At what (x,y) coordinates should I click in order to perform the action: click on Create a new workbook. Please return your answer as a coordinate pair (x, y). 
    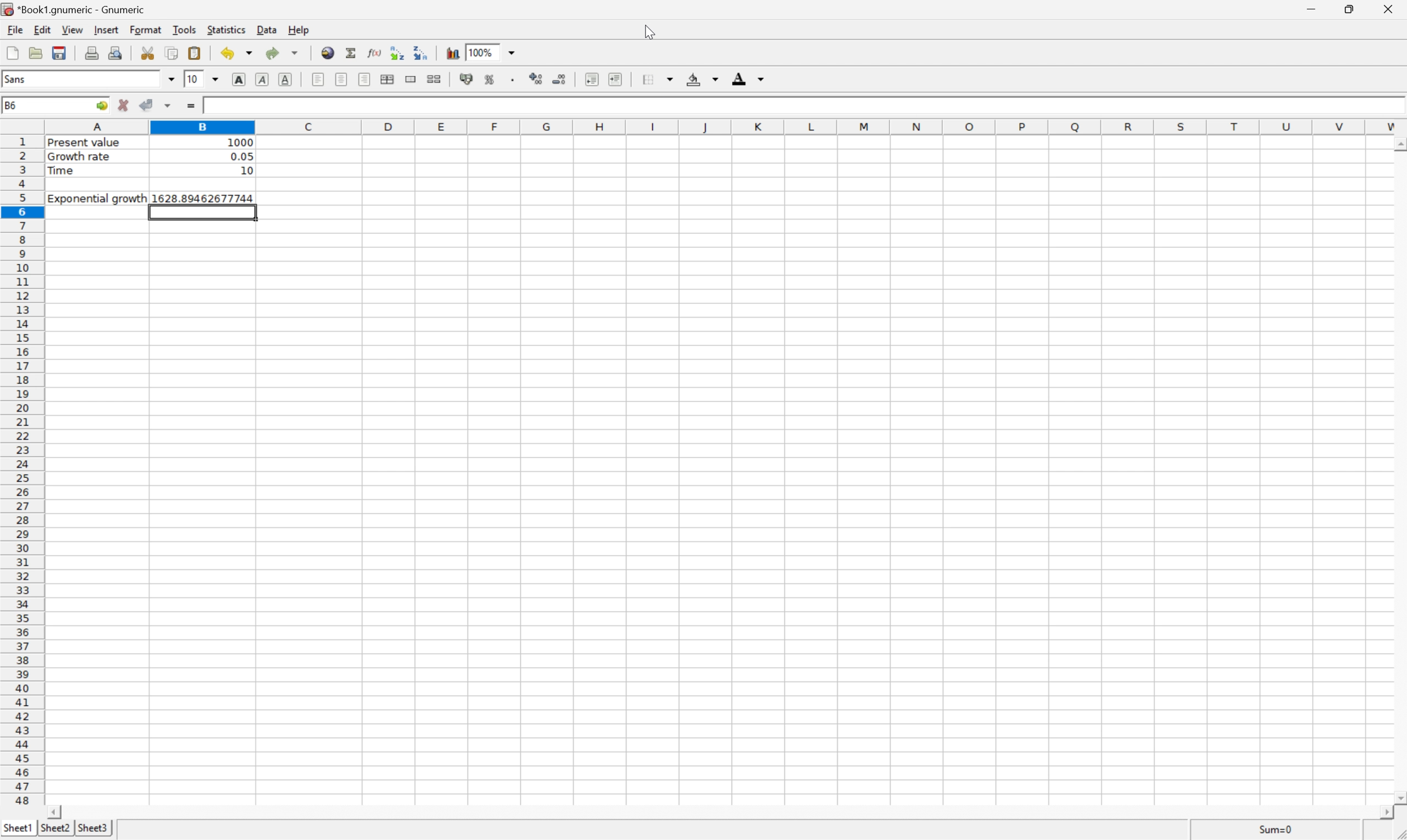
    Looking at the image, I should click on (13, 53).